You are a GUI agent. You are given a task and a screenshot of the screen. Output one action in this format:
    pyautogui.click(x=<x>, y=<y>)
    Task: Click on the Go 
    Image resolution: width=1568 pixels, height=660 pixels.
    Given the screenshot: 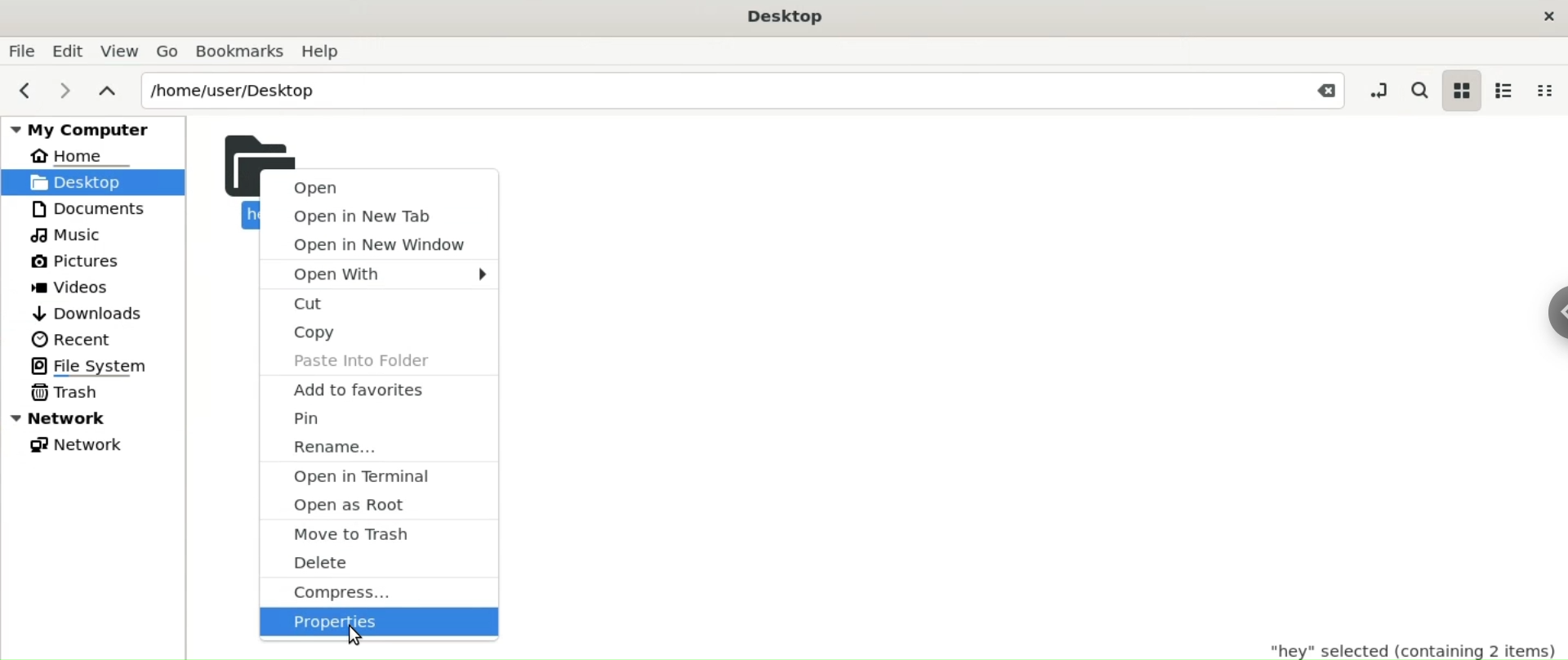 What is the action you would take?
    pyautogui.click(x=169, y=51)
    